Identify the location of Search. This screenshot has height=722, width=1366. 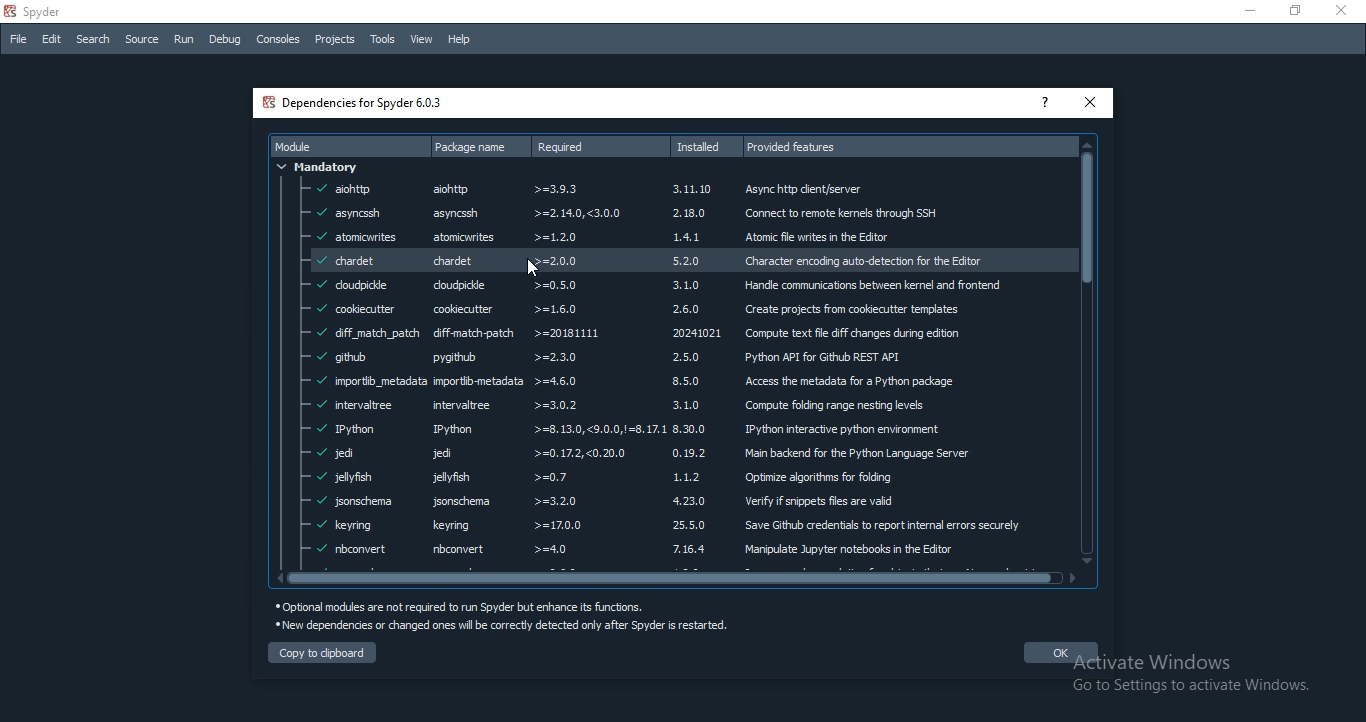
(90, 39).